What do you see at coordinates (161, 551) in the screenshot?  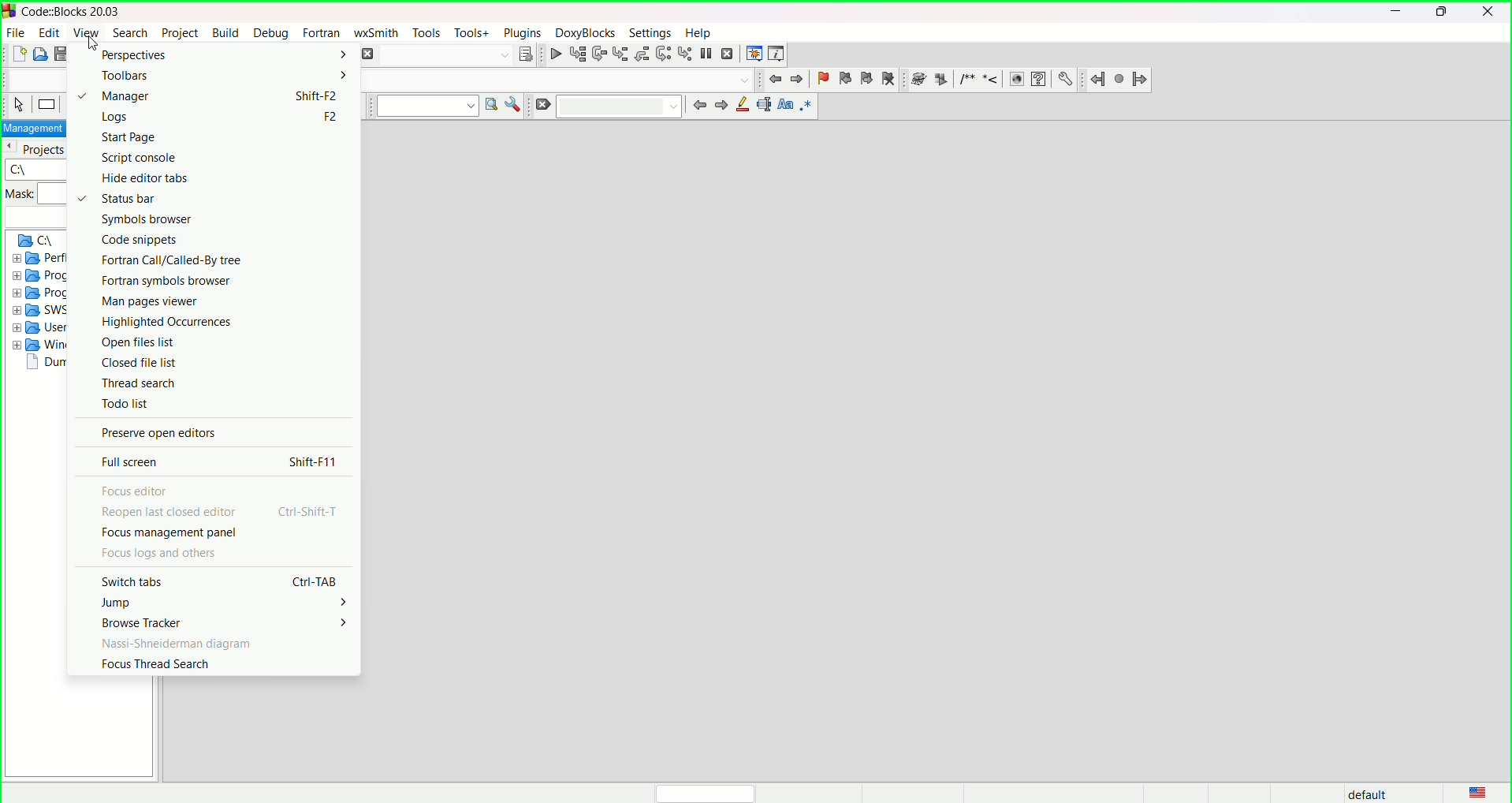 I see `focus logs and others` at bounding box center [161, 551].